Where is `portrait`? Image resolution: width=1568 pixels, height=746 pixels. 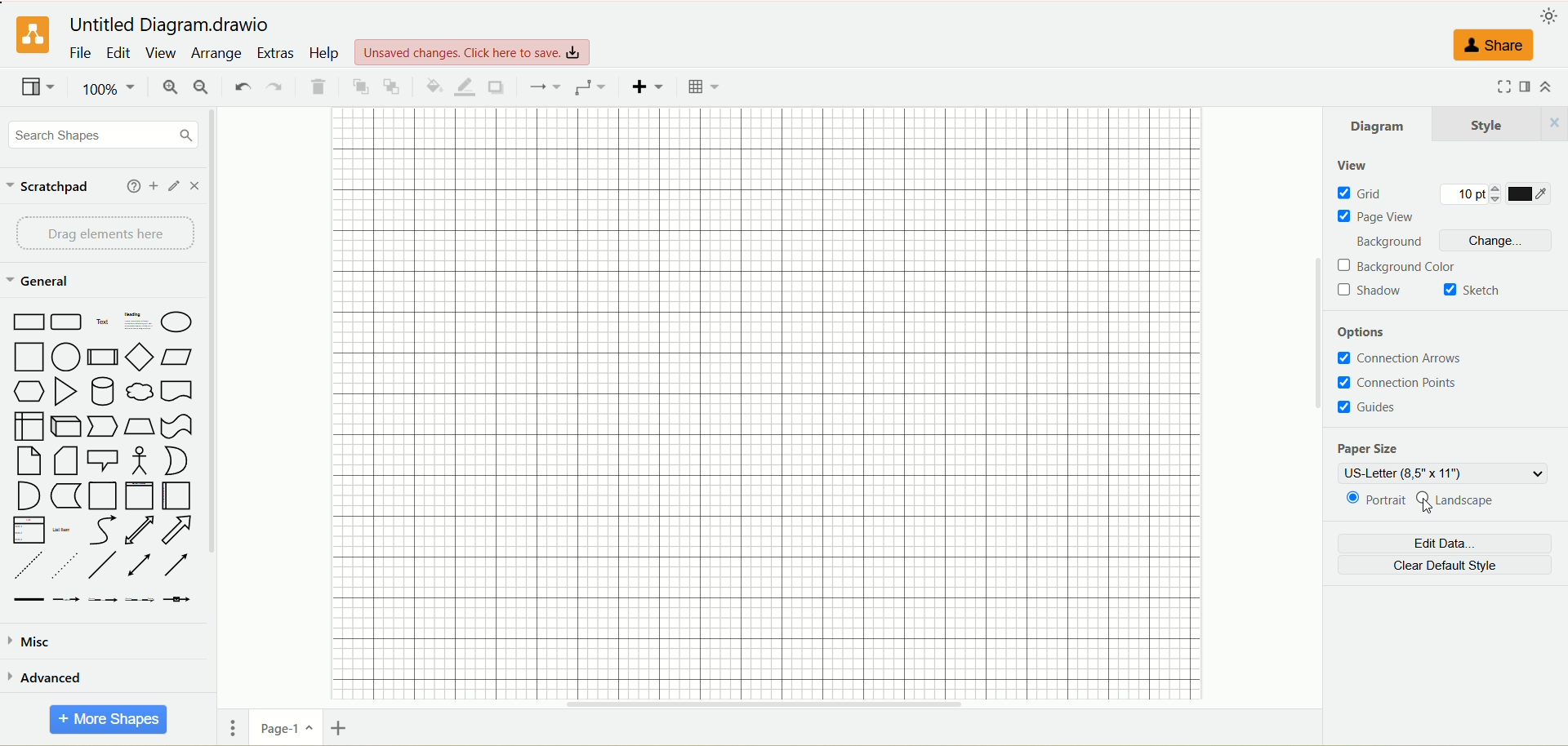 portrait is located at coordinates (1370, 501).